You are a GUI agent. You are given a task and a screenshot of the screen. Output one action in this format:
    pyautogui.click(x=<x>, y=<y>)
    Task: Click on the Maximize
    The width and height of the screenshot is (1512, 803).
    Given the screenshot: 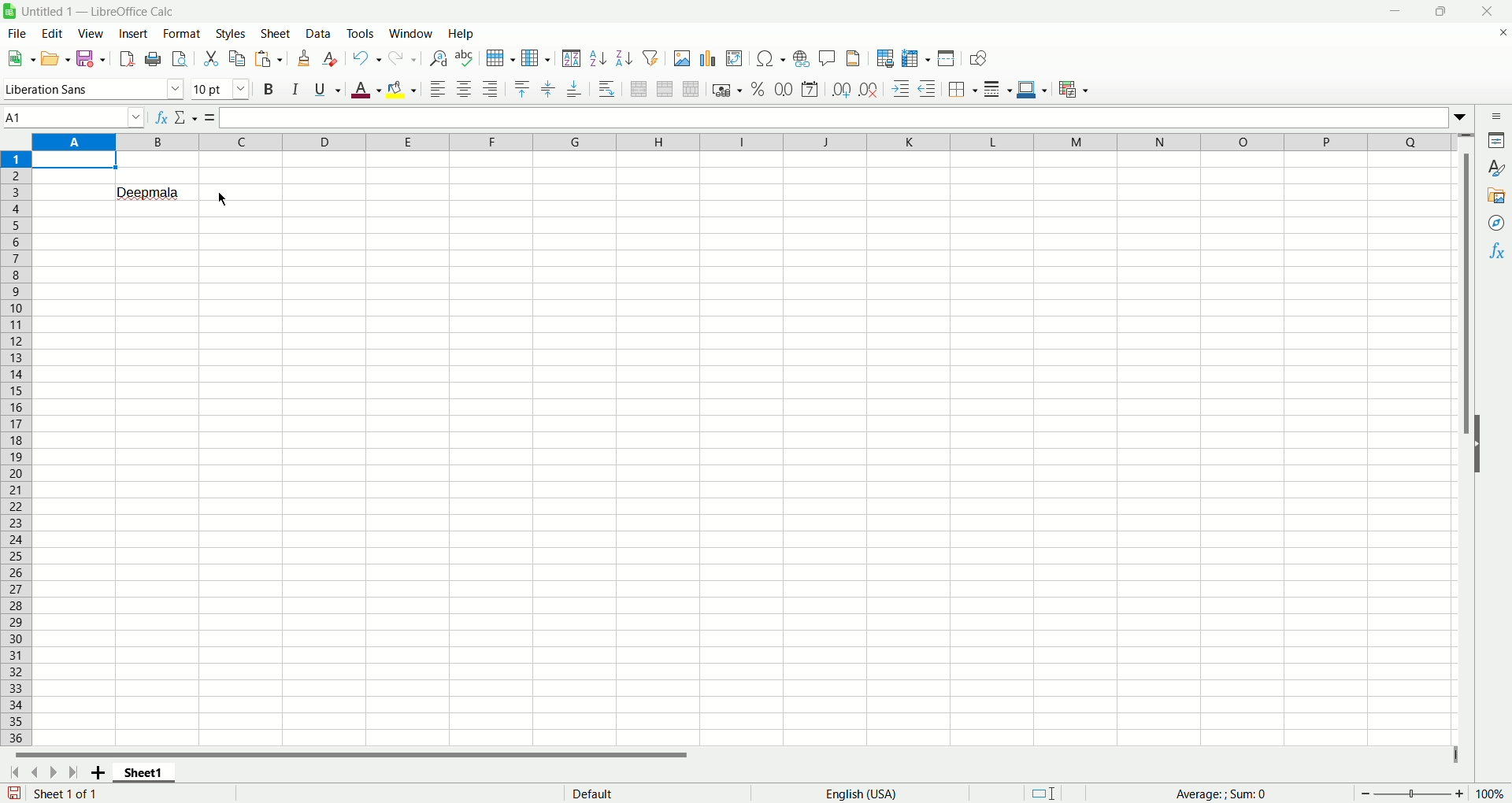 What is the action you would take?
    pyautogui.click(x=1445, y=9)
    